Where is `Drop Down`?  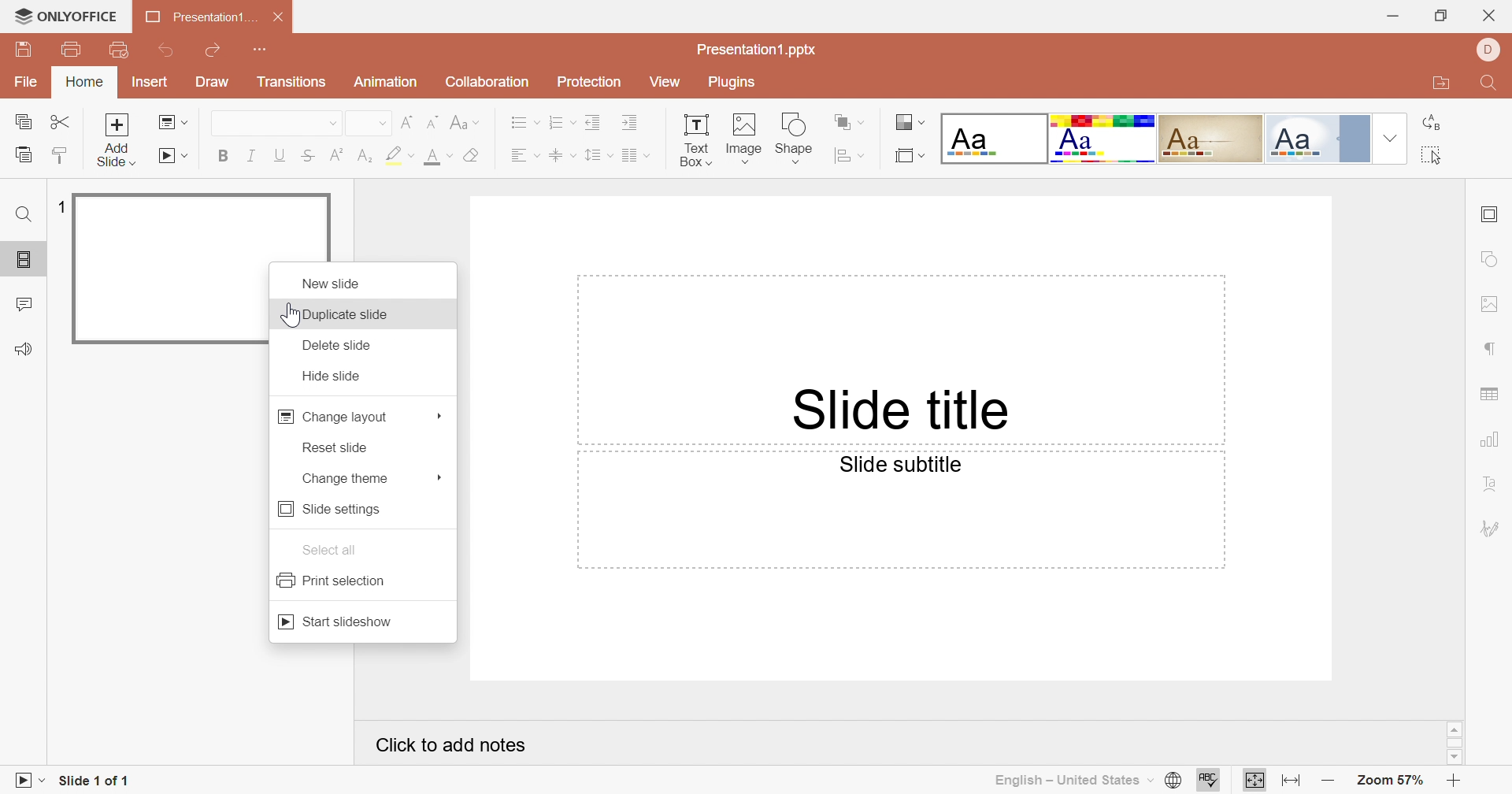 Drop Down is located at coordinates (647, 155).